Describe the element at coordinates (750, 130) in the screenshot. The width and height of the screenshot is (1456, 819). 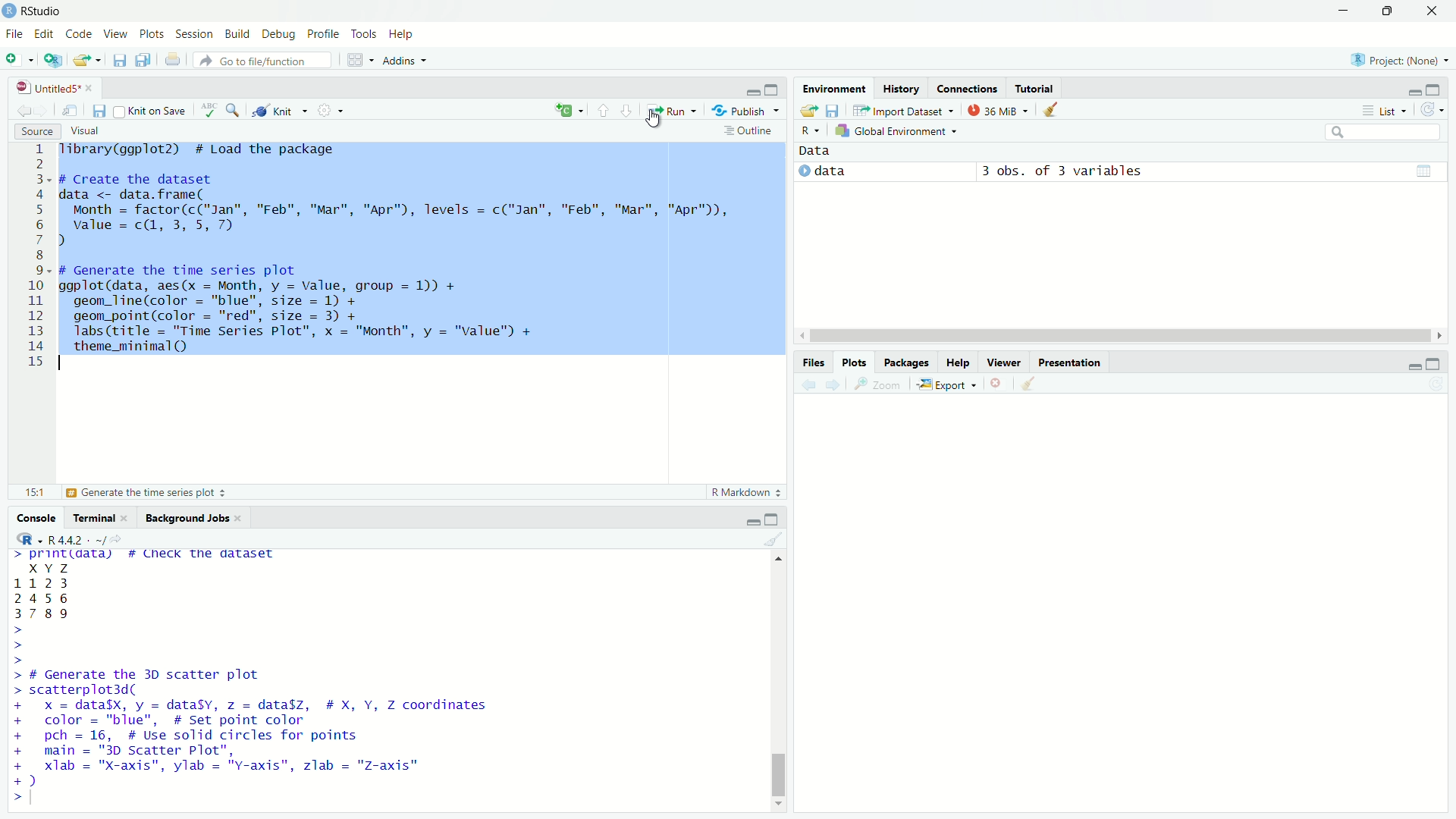
I see `outline` at that location.